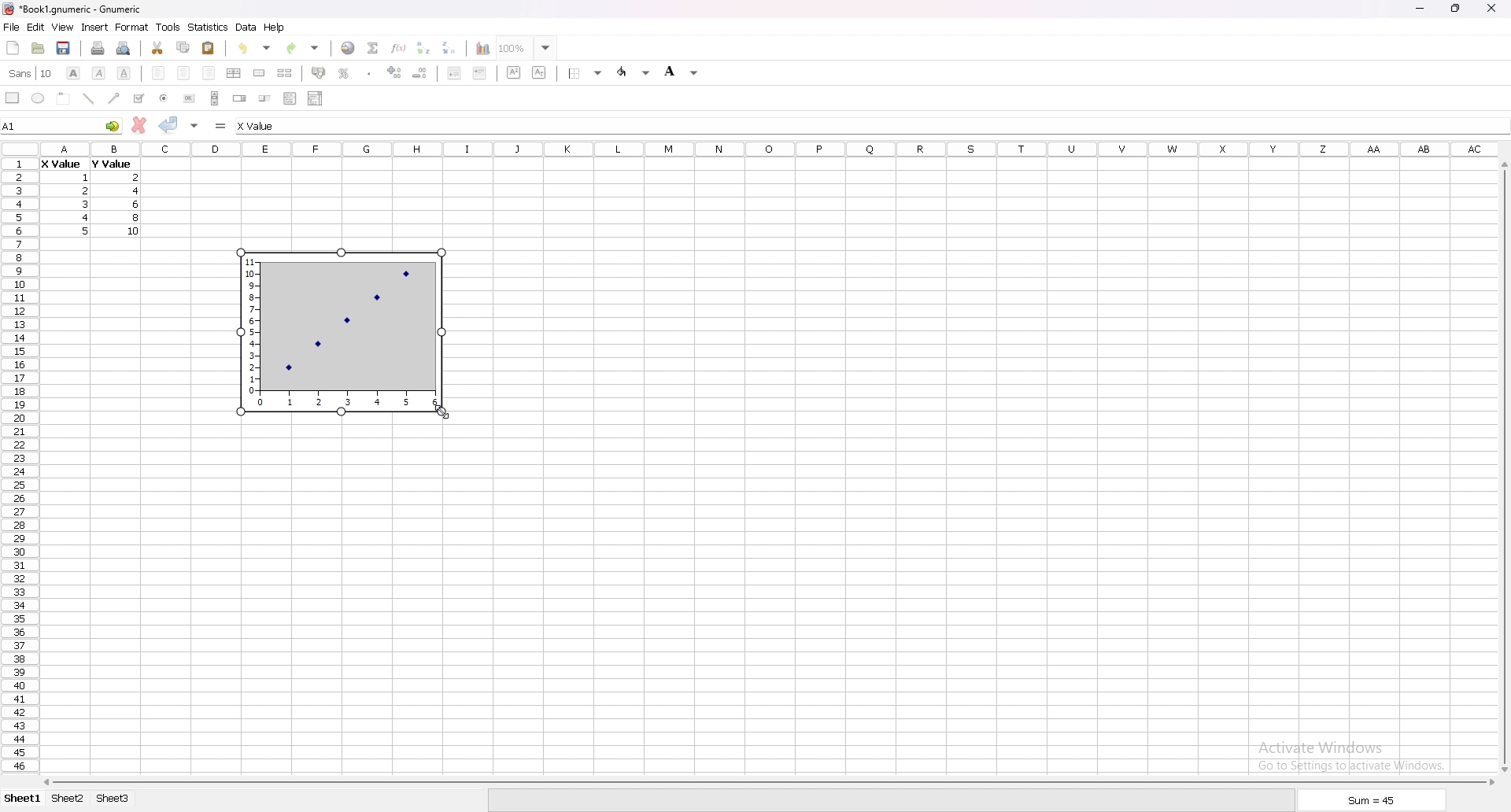  Describe the element at coordinates (515, 72) in the screenshot. I see `superscript` at that location.